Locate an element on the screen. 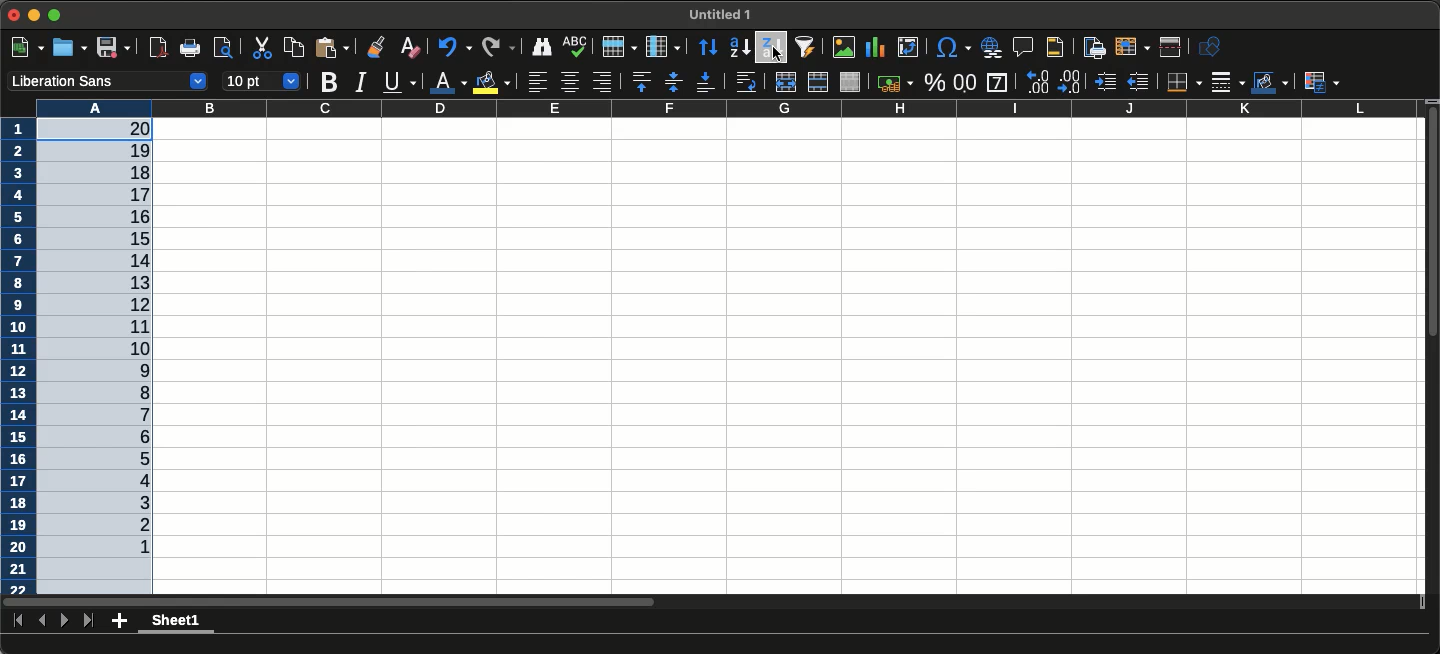 The height and width of the screenshot is (654, 1440). Last sheet is located at coordinates (87, 620).